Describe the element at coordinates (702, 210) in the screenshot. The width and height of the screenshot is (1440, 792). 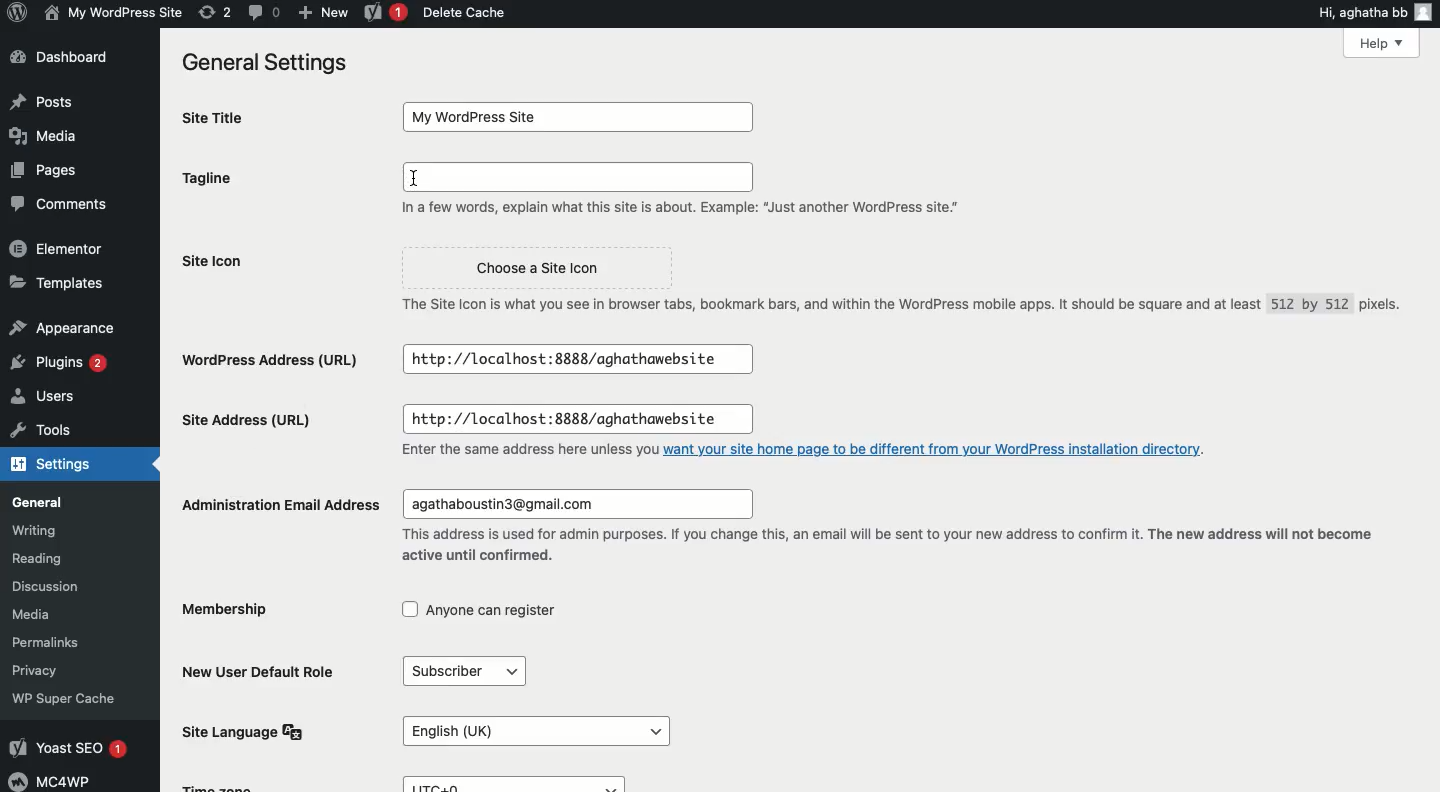
I see ` In a few words, explain what this site is about. Example: “Just another WordPress site."` at that location.